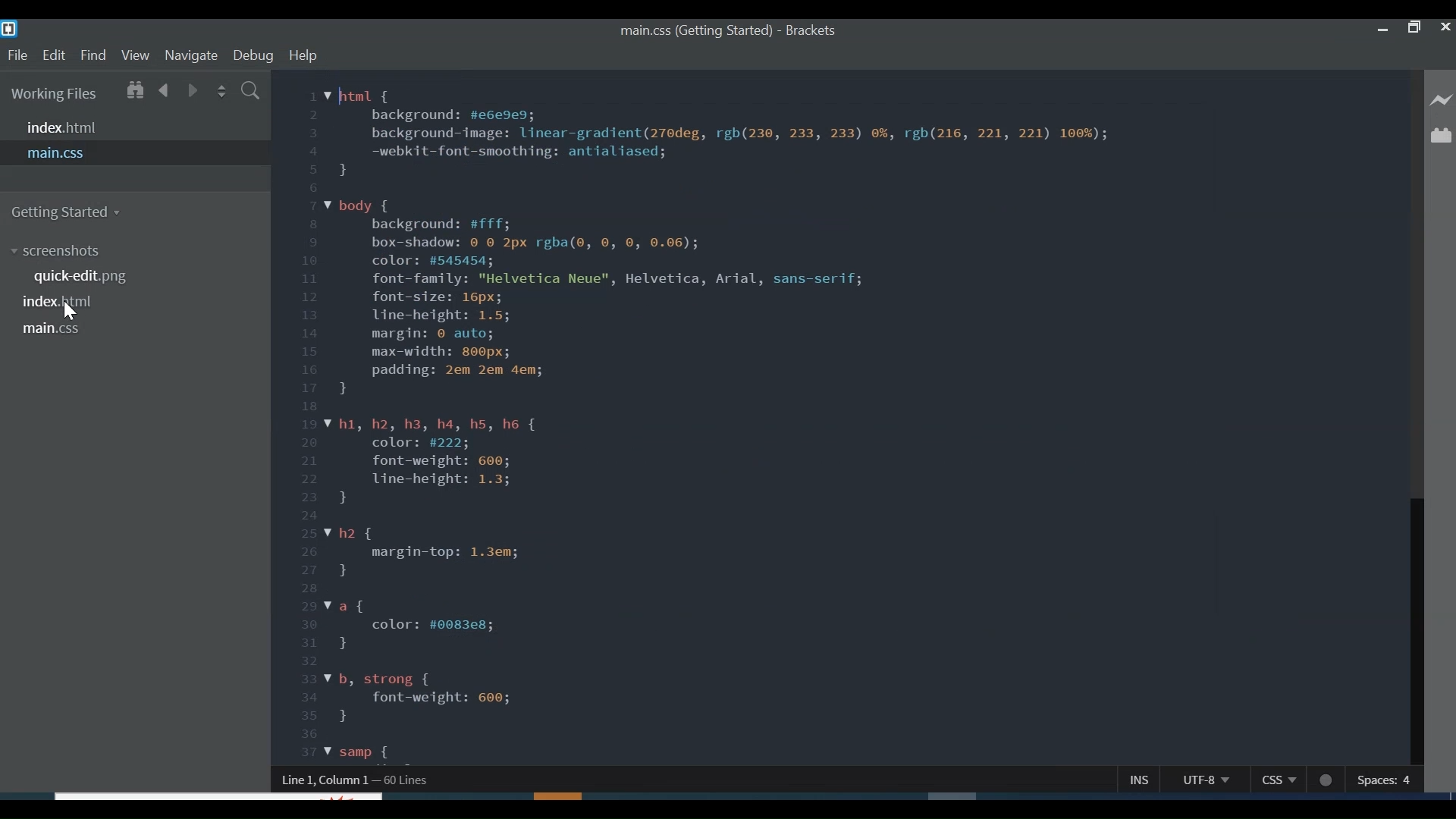 This screenshot has width=1456, height=819. I want to click on Restore, so click(1414, 28).